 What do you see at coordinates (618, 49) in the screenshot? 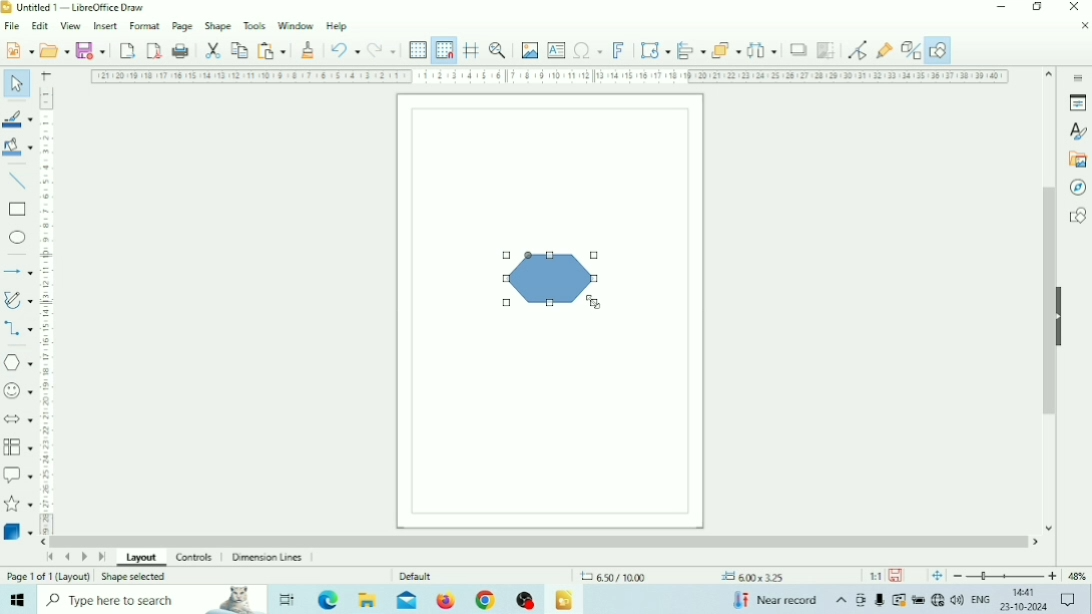
I see `Insert Fontwork Text` at bounding box center [618, 49].